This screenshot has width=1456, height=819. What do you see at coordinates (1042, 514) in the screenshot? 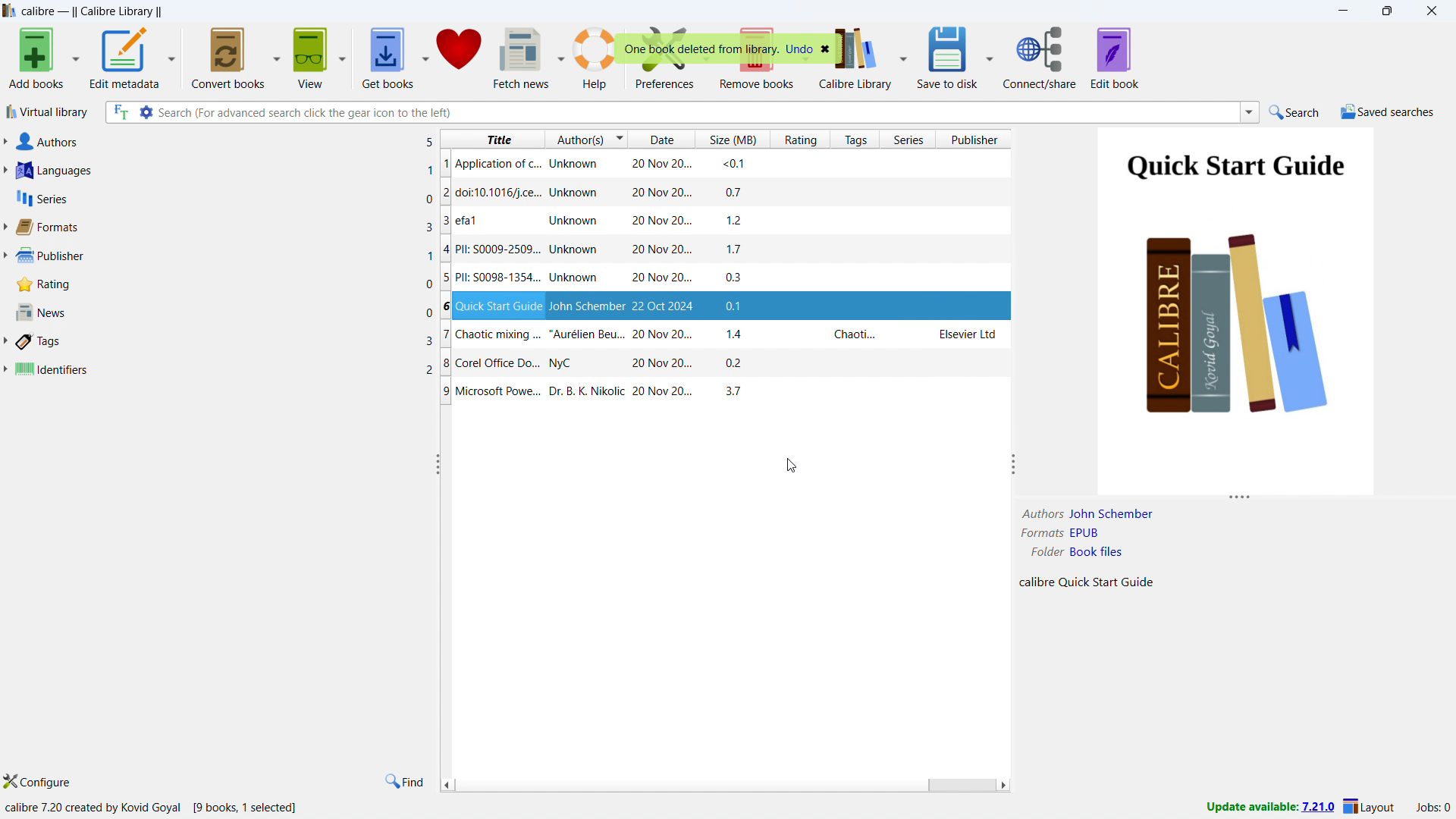
I see `Formats` at bounding box center [1042, 514].